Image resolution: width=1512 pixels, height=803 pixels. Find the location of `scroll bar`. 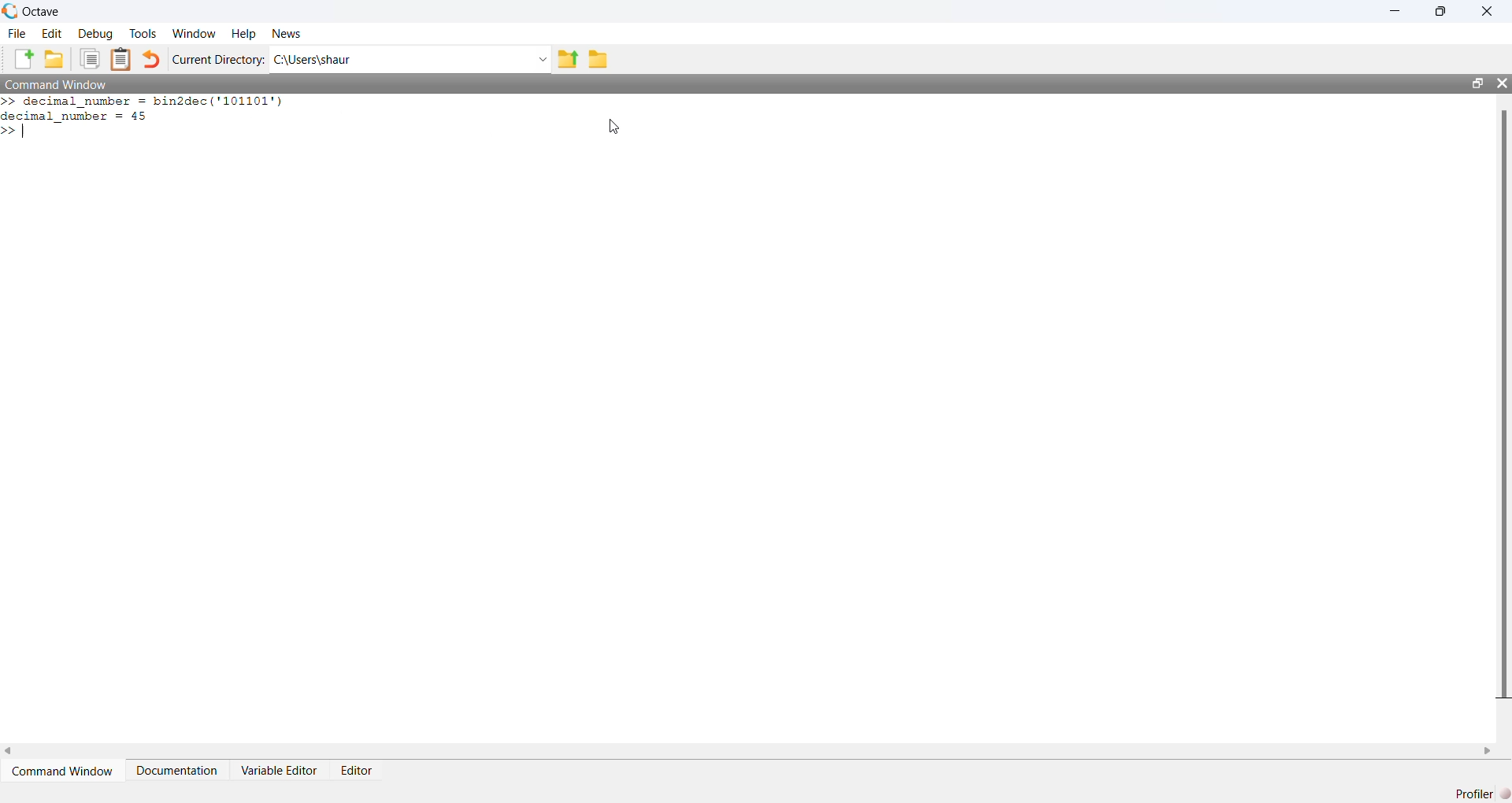

scroll bar is located at coordinates (1504, 402).